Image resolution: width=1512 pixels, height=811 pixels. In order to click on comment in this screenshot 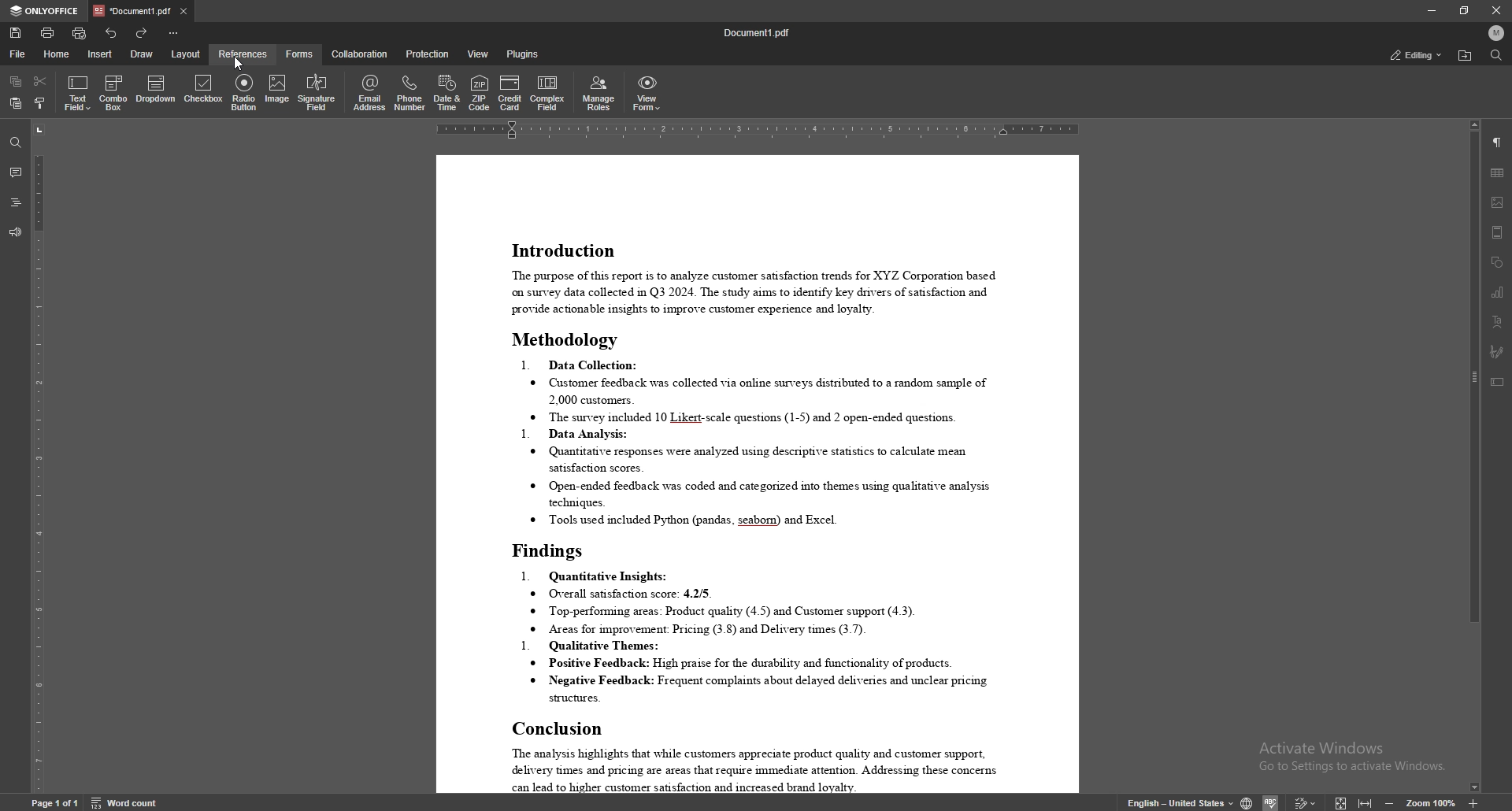, I will do `click(16, 172)`.